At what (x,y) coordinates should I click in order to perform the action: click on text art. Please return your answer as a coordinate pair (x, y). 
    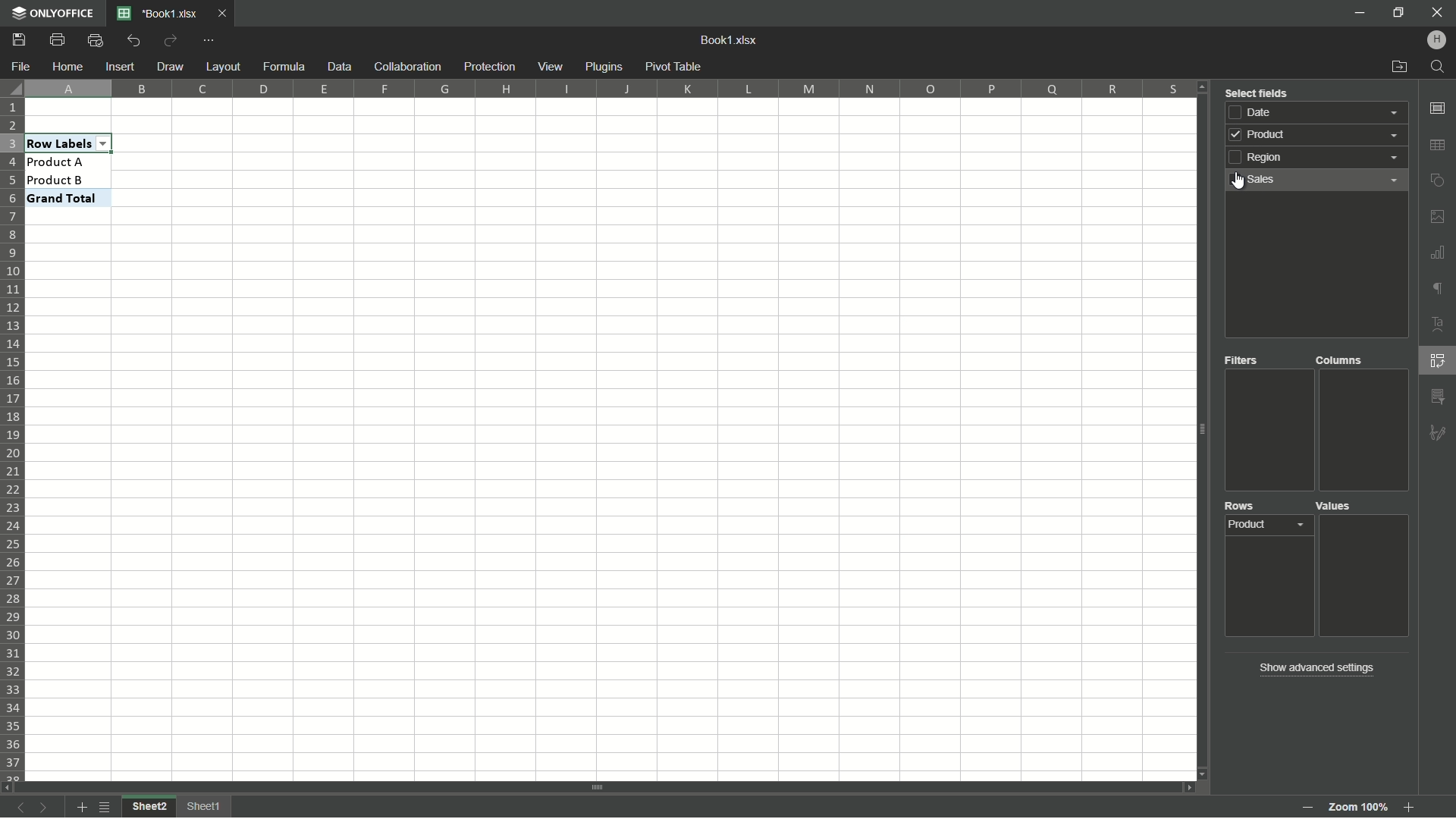
    Looking at the image, I should click on (1439, 325).